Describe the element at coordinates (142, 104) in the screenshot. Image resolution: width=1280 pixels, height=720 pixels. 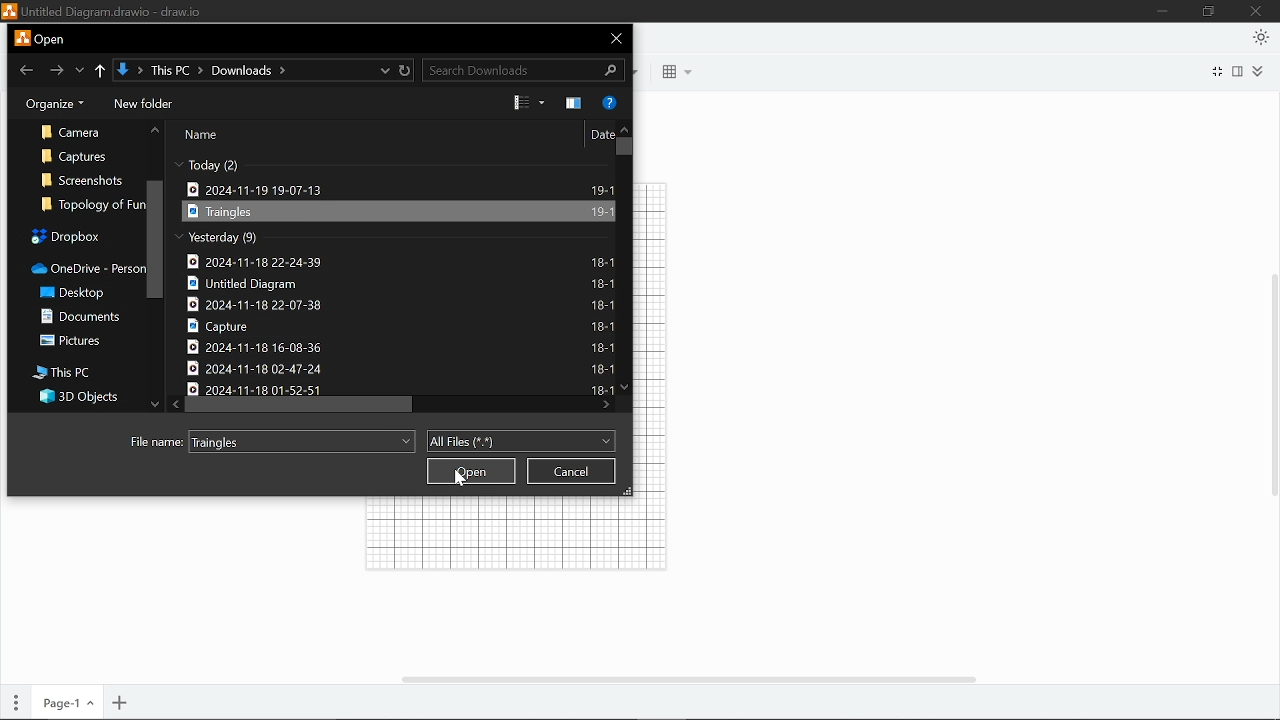
I see `New folder` at that location.